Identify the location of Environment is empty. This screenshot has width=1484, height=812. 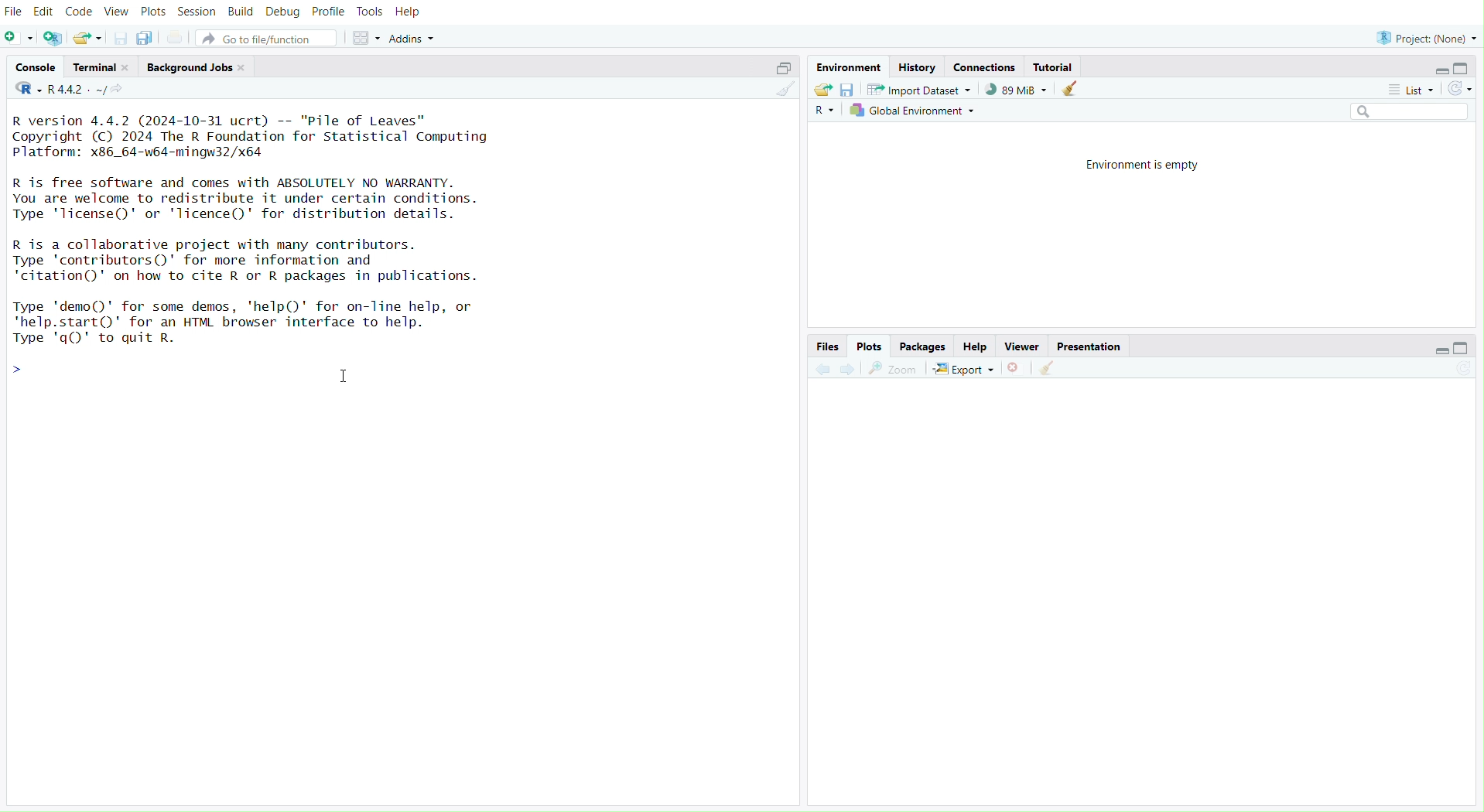
(1149, 164).